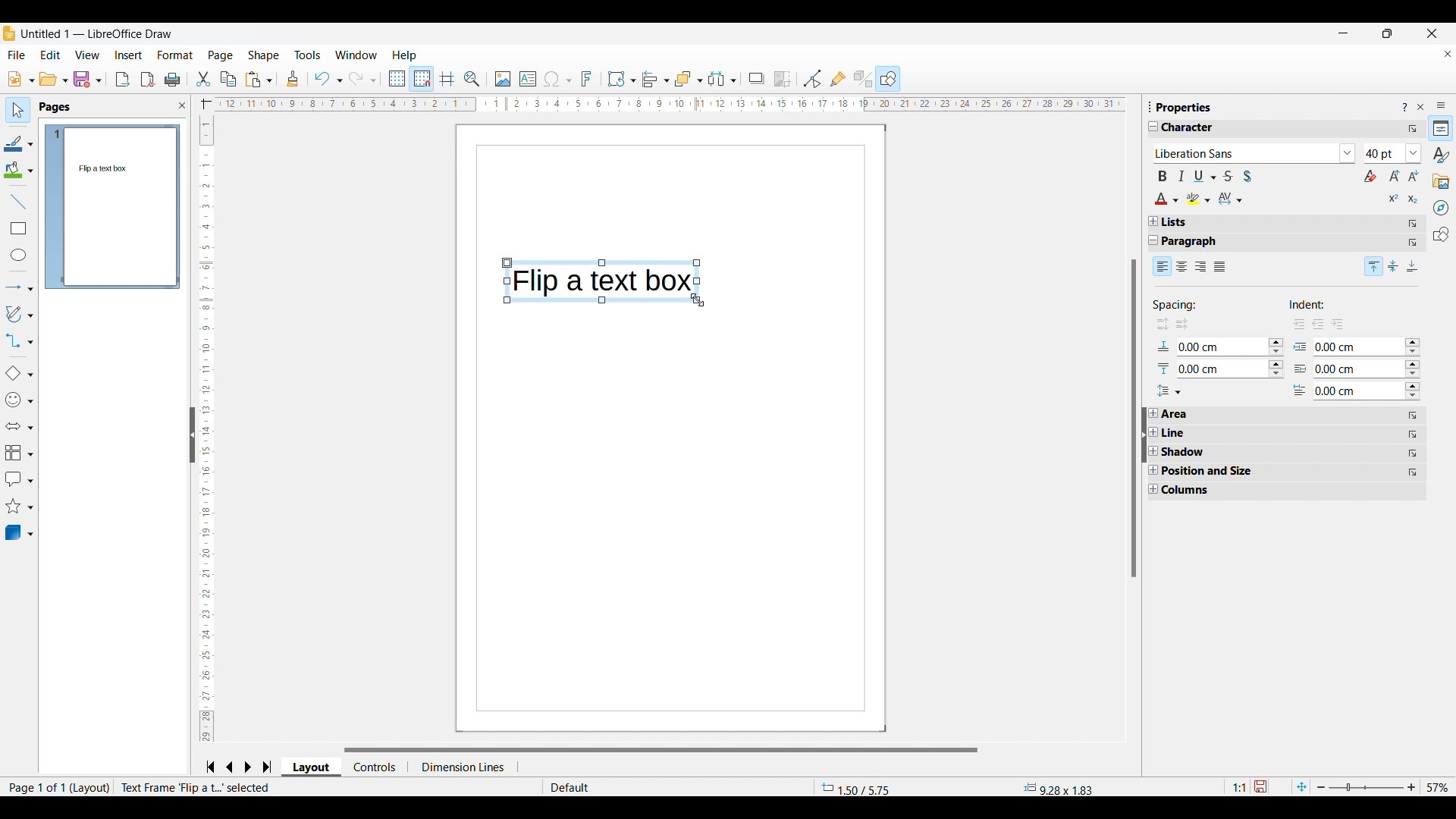 This screenshot has height=819, width=1456. Describe the element at coordinates (1414, 153) in the screenshot. I see `List character size options` at that location.